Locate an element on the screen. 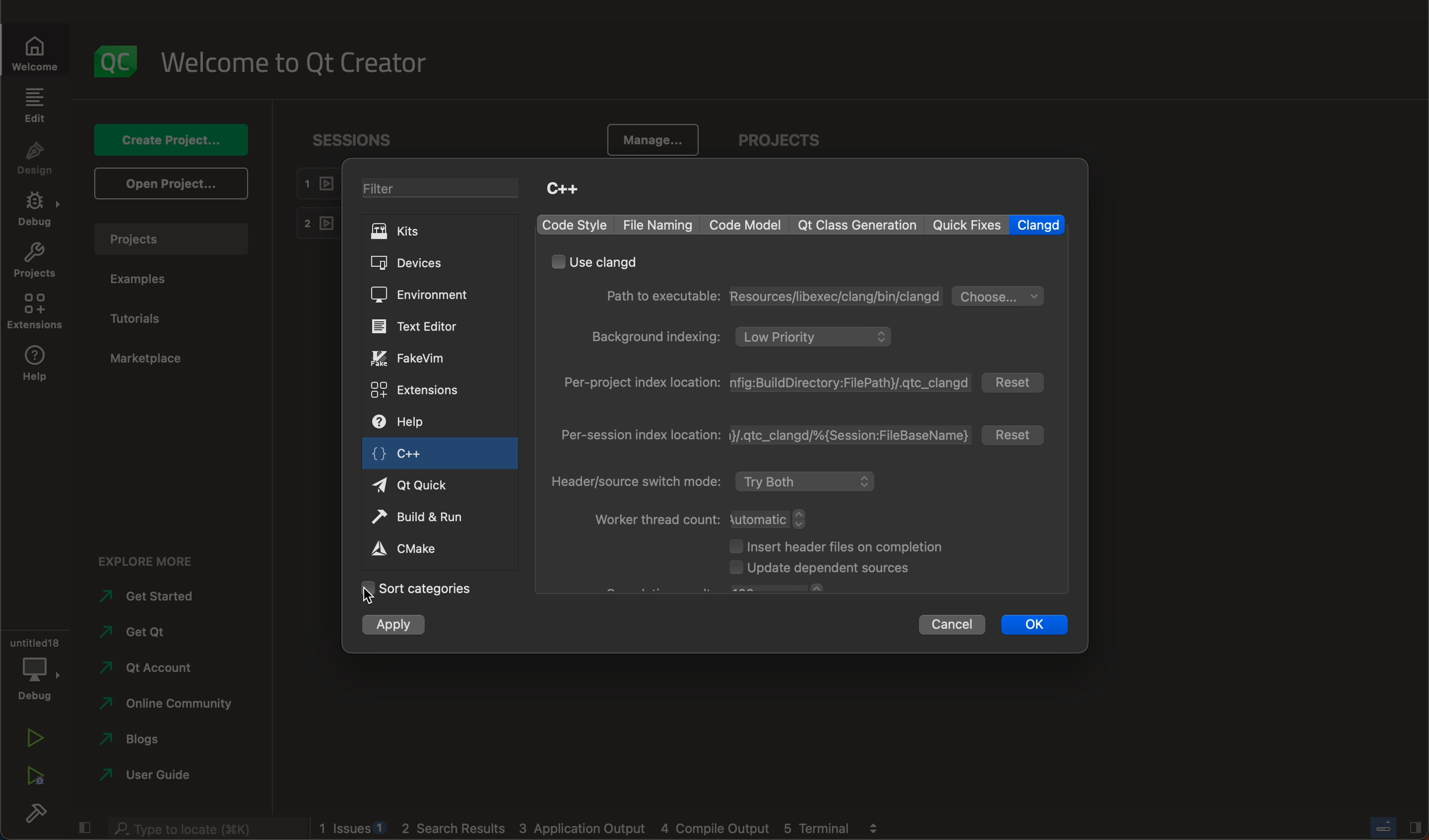 This screenshot has height=840, width=1429. WELCOME TO  is located at coordinates (298, 63).